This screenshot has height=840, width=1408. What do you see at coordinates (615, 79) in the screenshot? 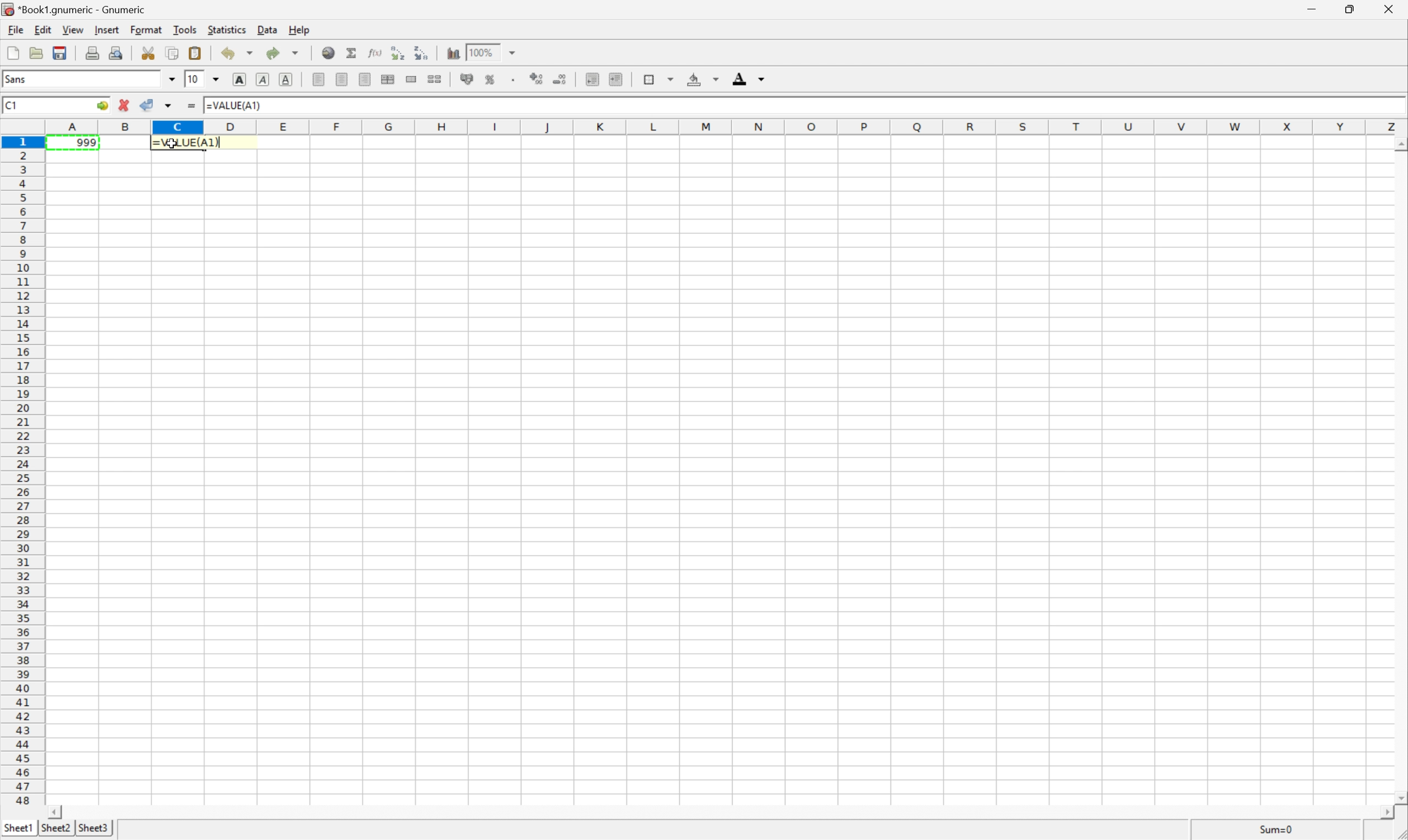
I see `increase indent` at bounding box center [615, 79].